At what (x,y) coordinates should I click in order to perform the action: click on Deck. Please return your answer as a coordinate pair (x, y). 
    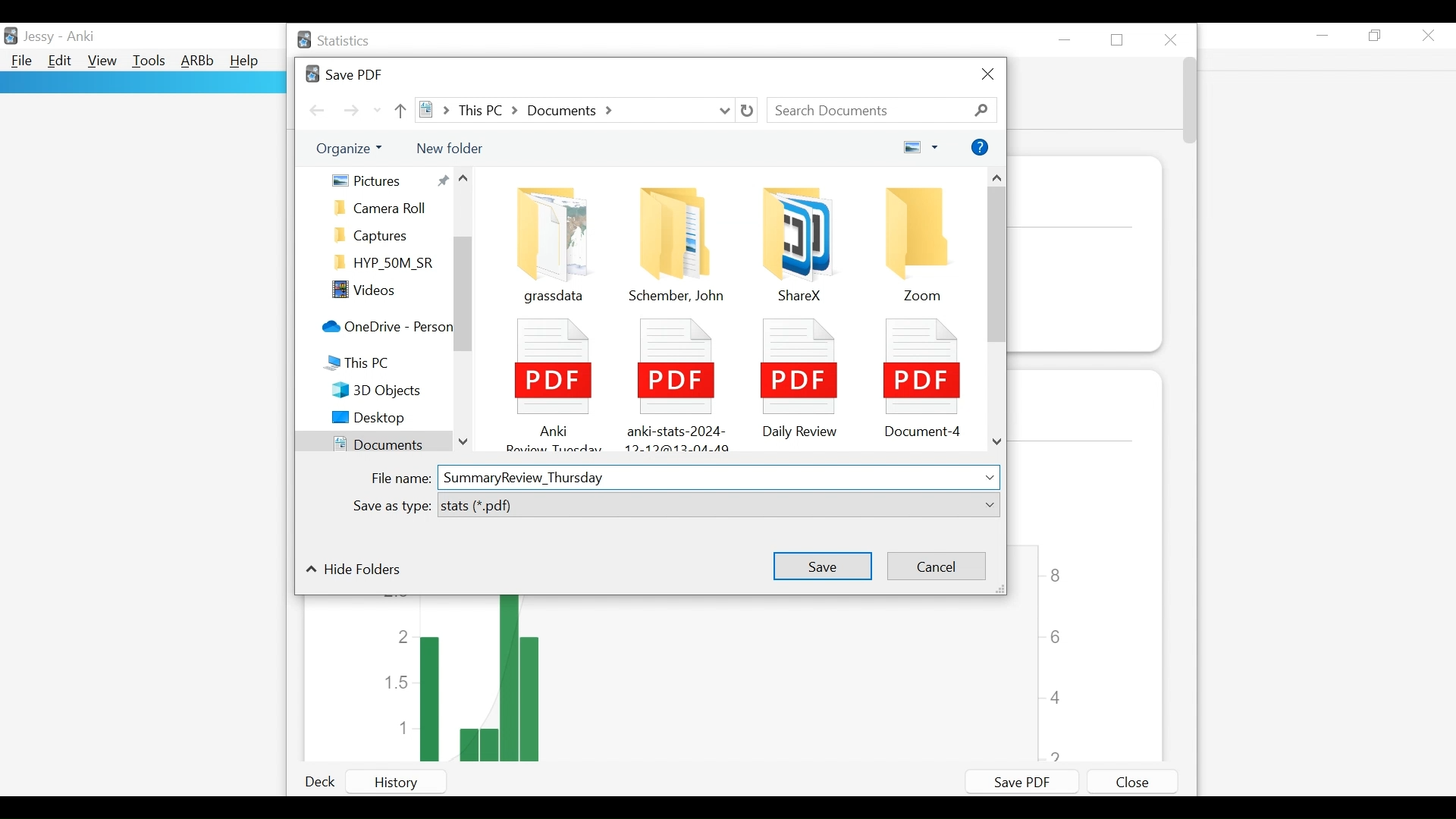
    Looking at the image, I should click on (325, 783).